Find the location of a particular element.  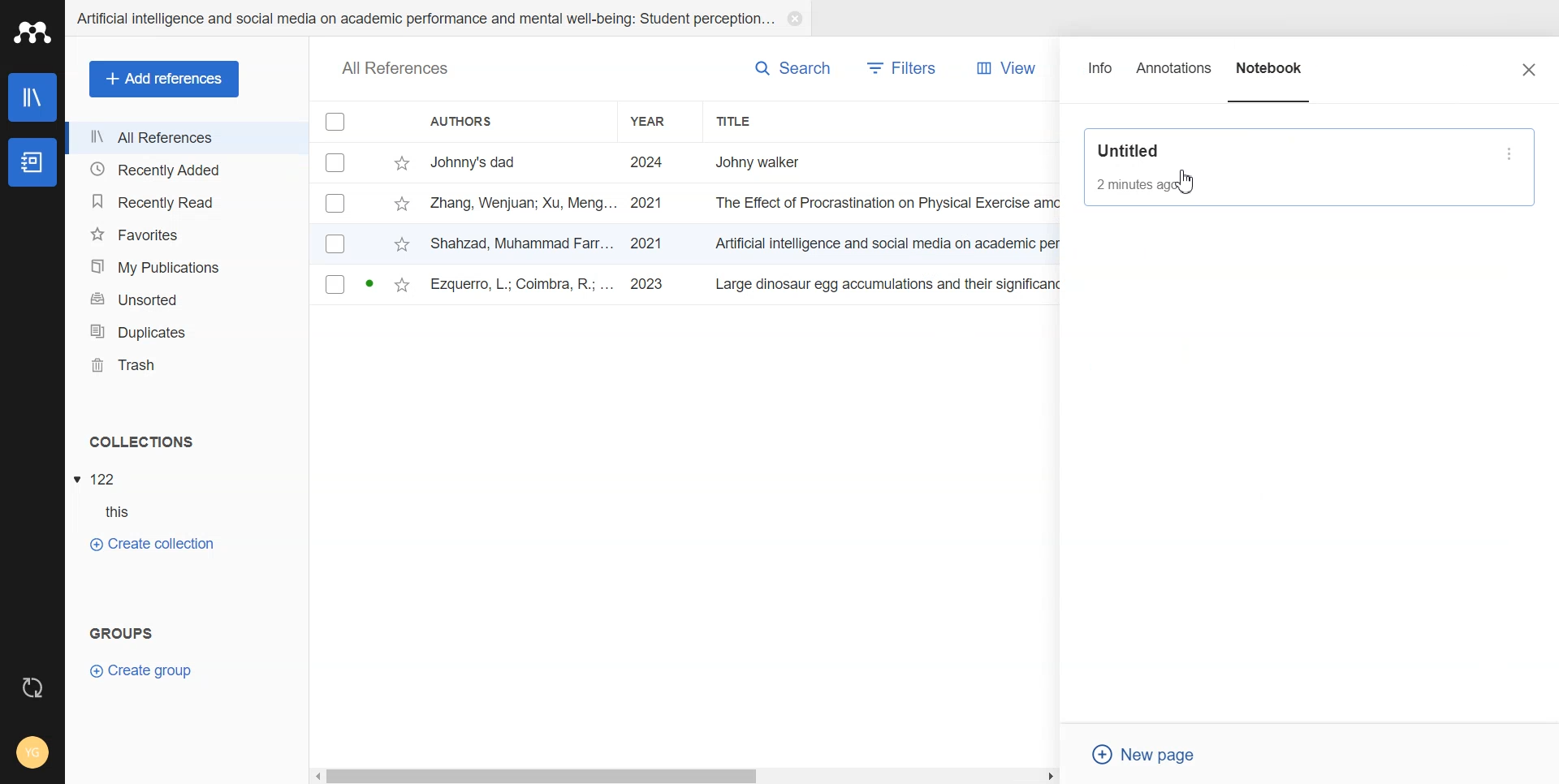

Trash is located at coordinates (187, 365).